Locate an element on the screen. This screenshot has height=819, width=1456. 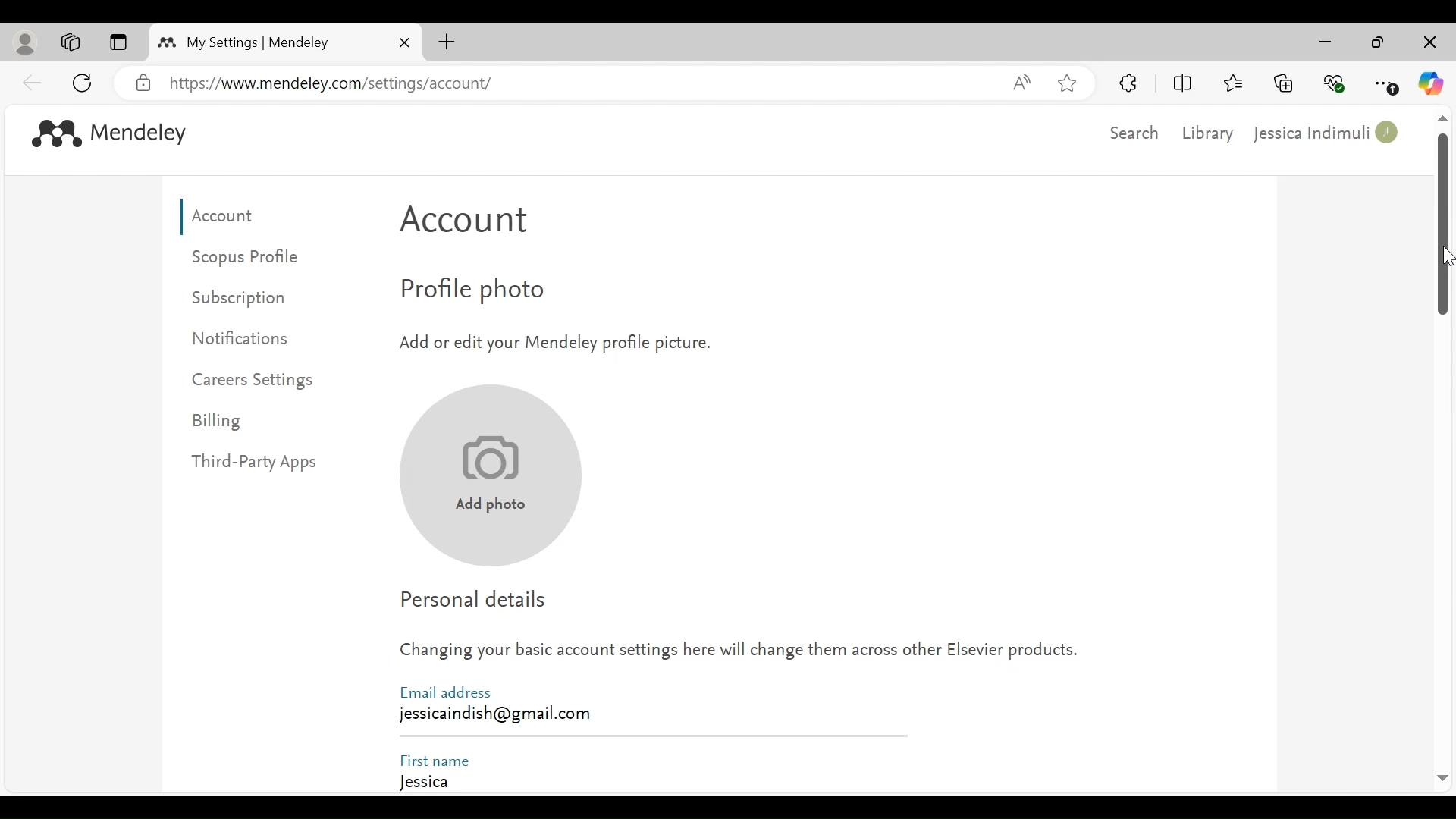
Account is located at coordinates (472, 224).